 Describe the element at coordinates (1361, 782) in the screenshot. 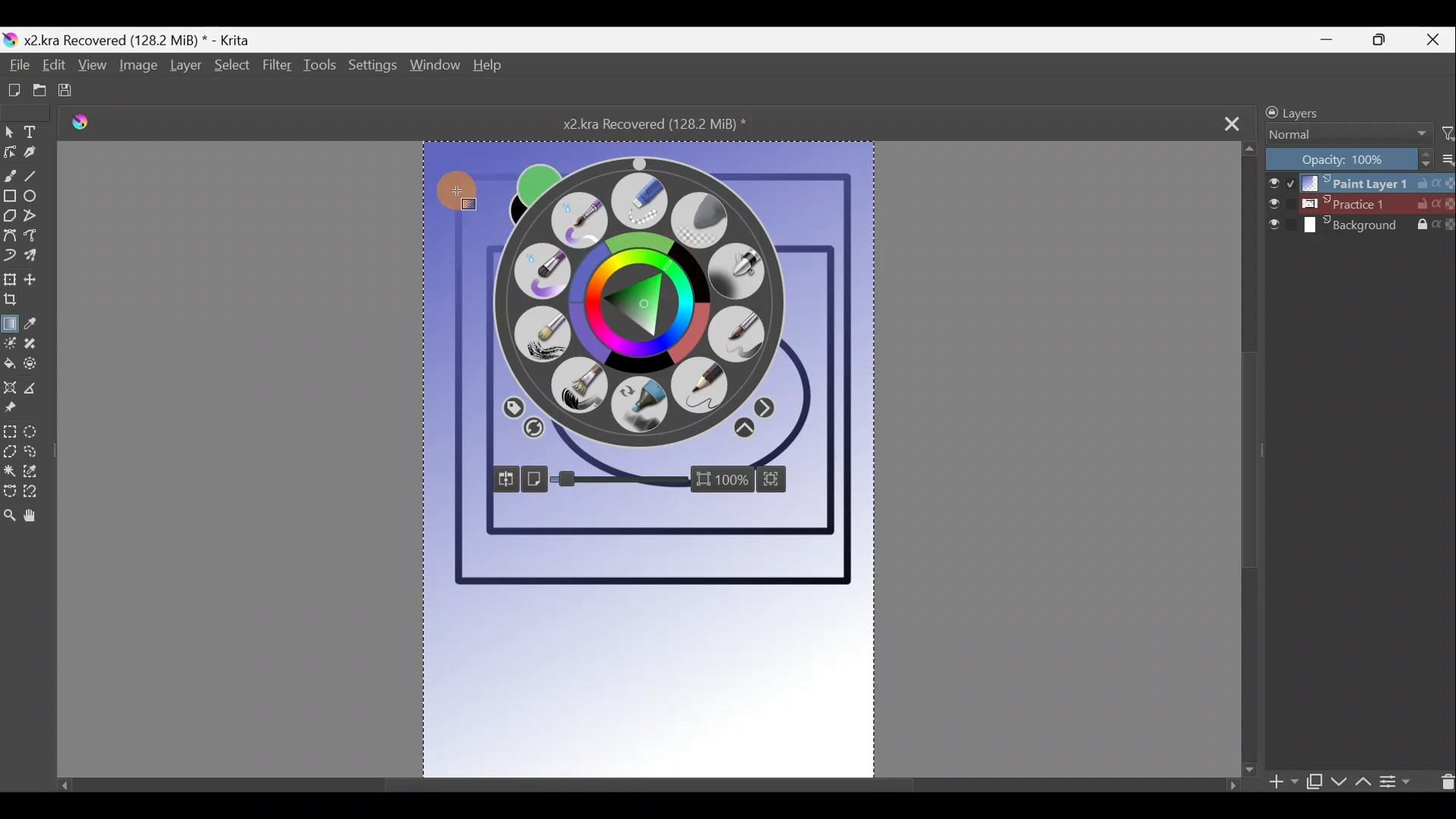

I see `Move layer/mask up` at that location.